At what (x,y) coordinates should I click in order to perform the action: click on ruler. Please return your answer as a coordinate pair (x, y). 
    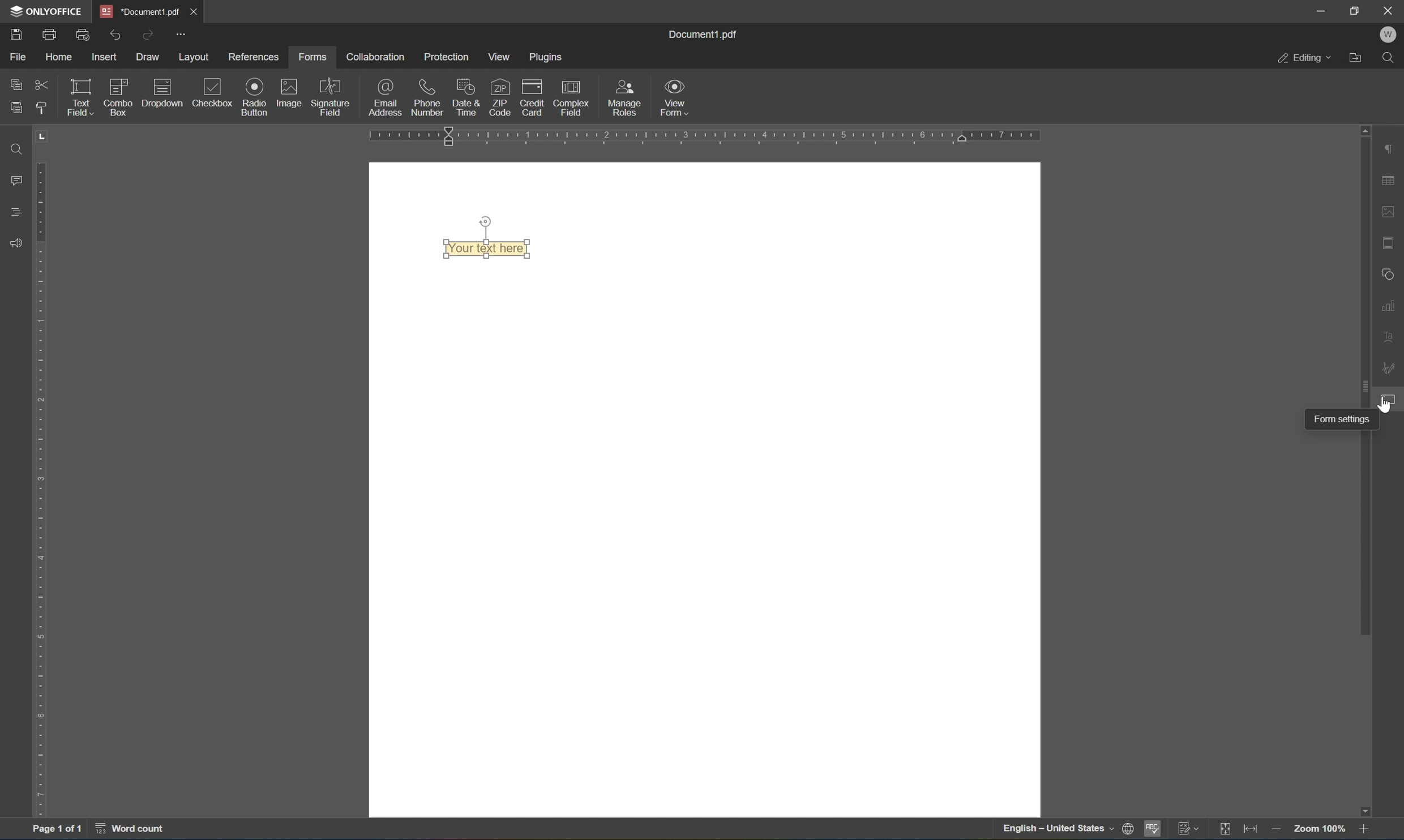
    Looking at the image, I should click on (37, 490).